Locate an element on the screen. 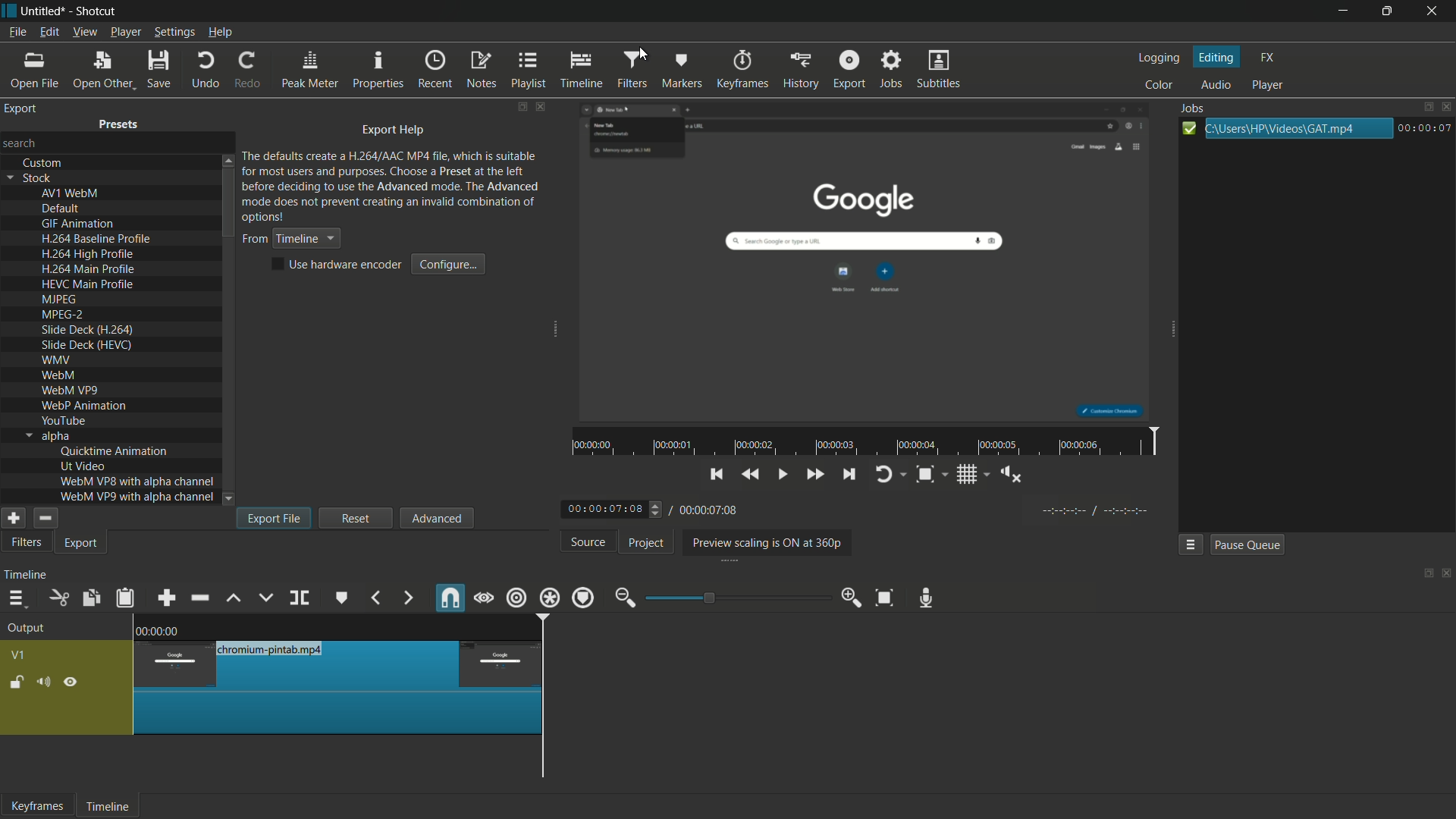 The image size is (1456, 819). history is located at coordinates (800, 69).